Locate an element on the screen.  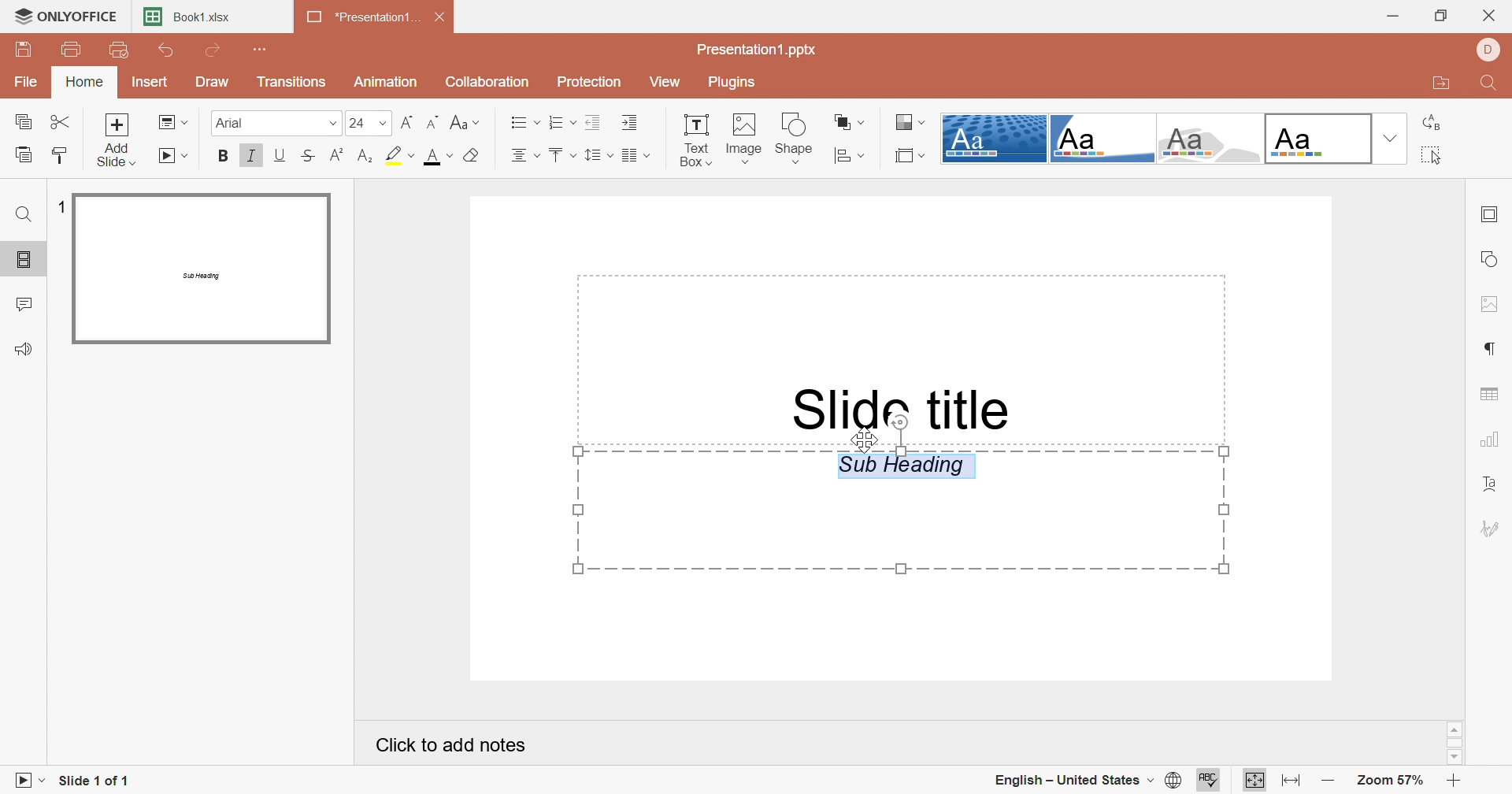
English - United States is located at coordinates (1073, 779).